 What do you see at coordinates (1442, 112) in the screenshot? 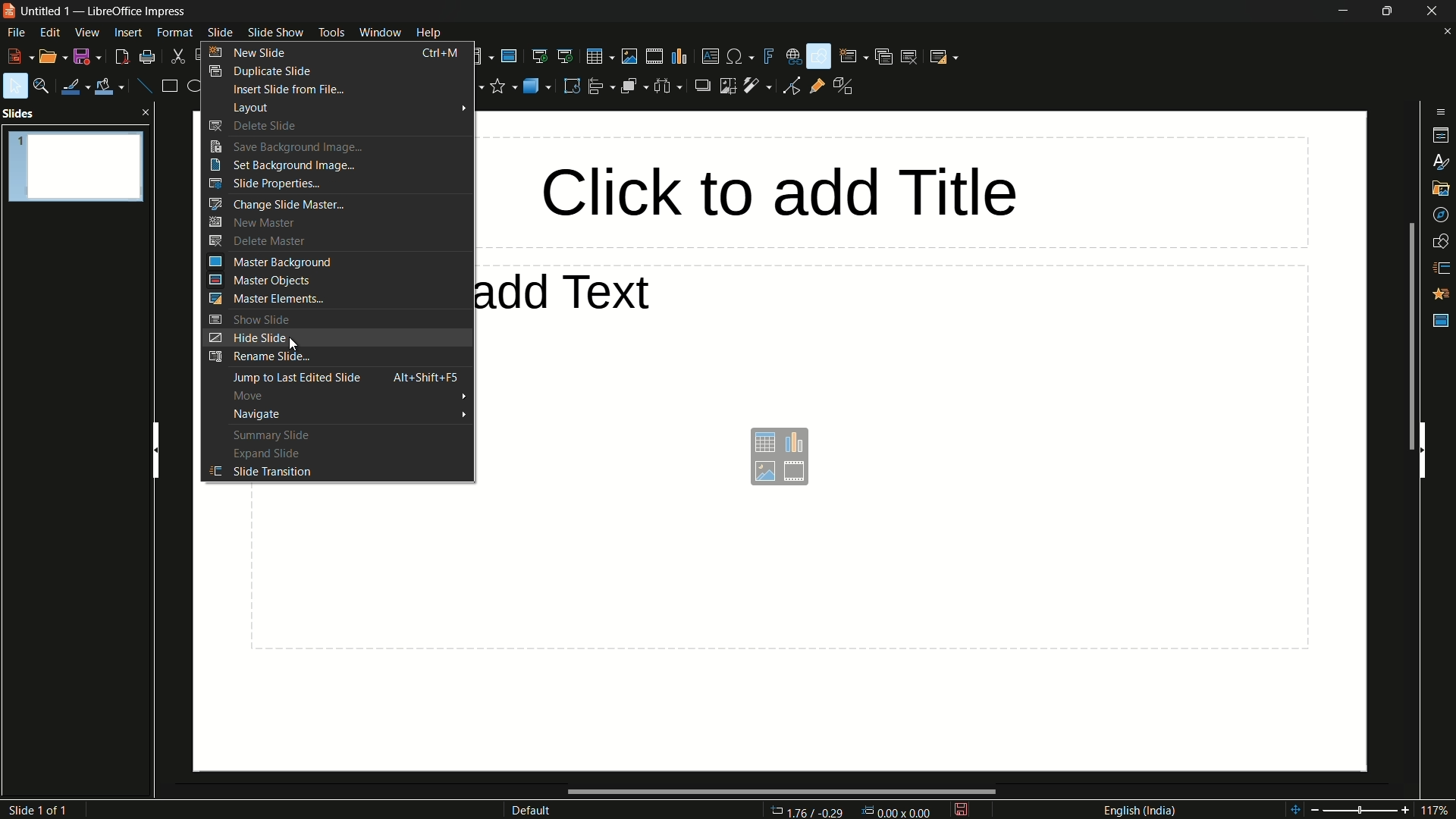
I see `sidebar settings` at bounding box center [1442, 112].